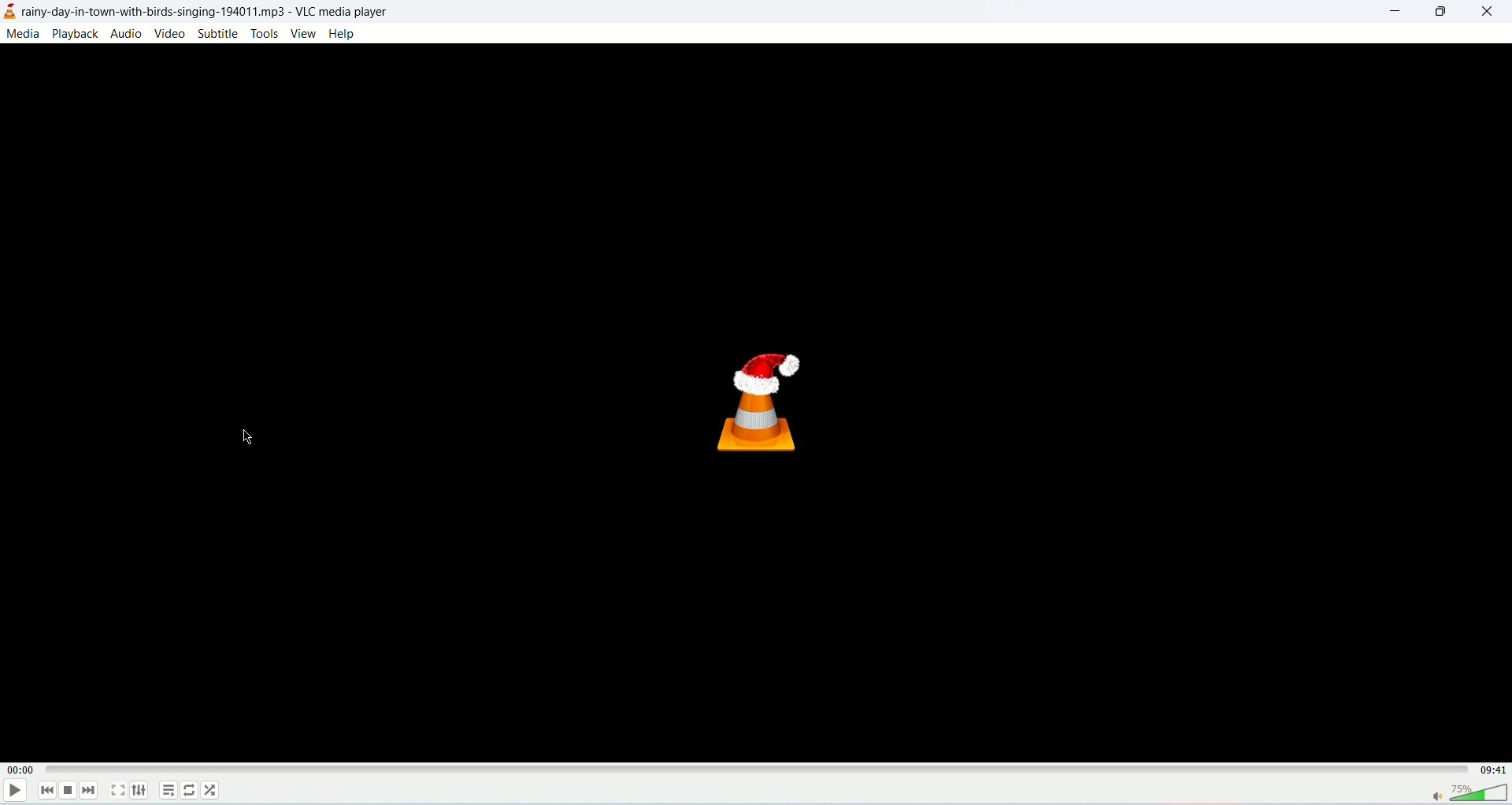  Describe the element at coordinates (756, 402) in the screenshot. I see `main screen` at that location.